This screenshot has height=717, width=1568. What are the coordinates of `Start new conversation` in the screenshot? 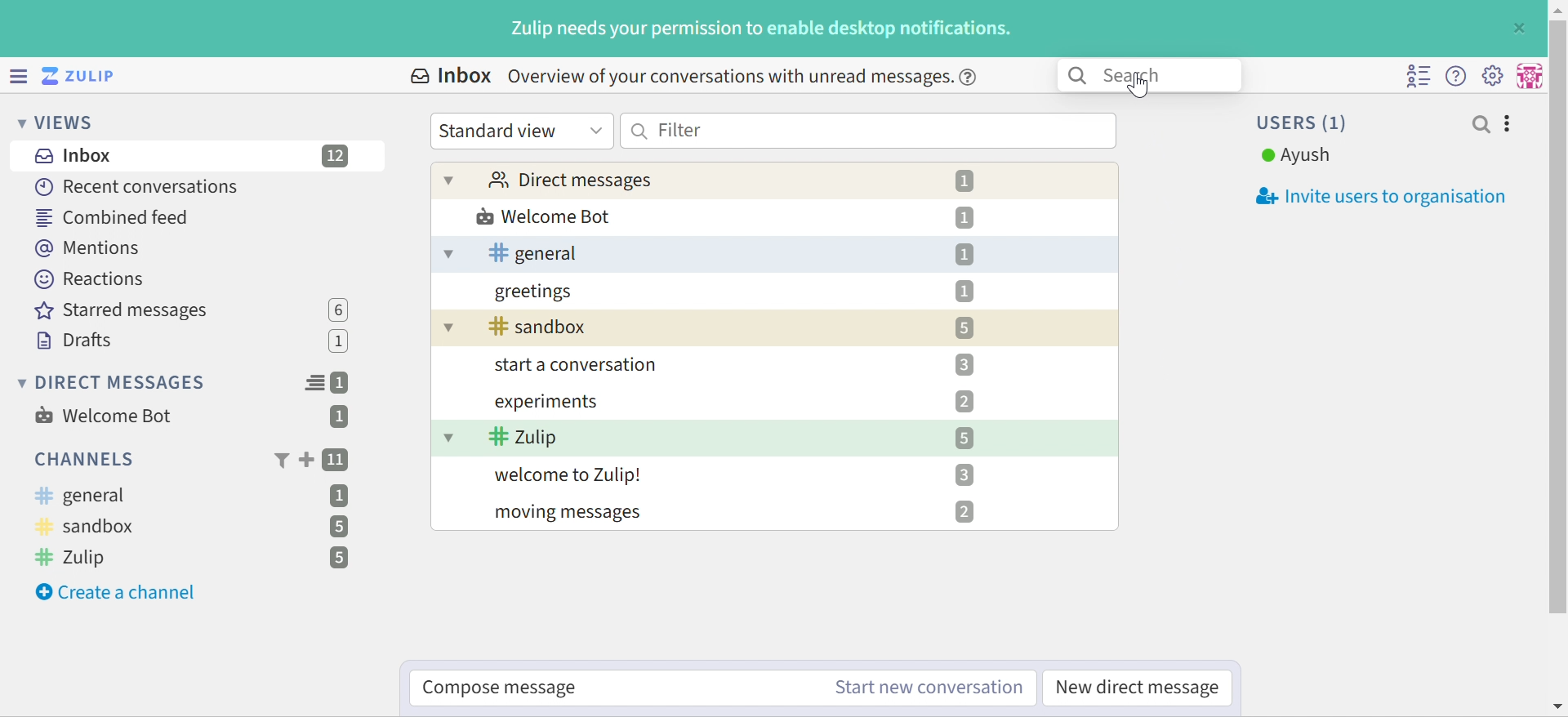 It's located at (929, 688).